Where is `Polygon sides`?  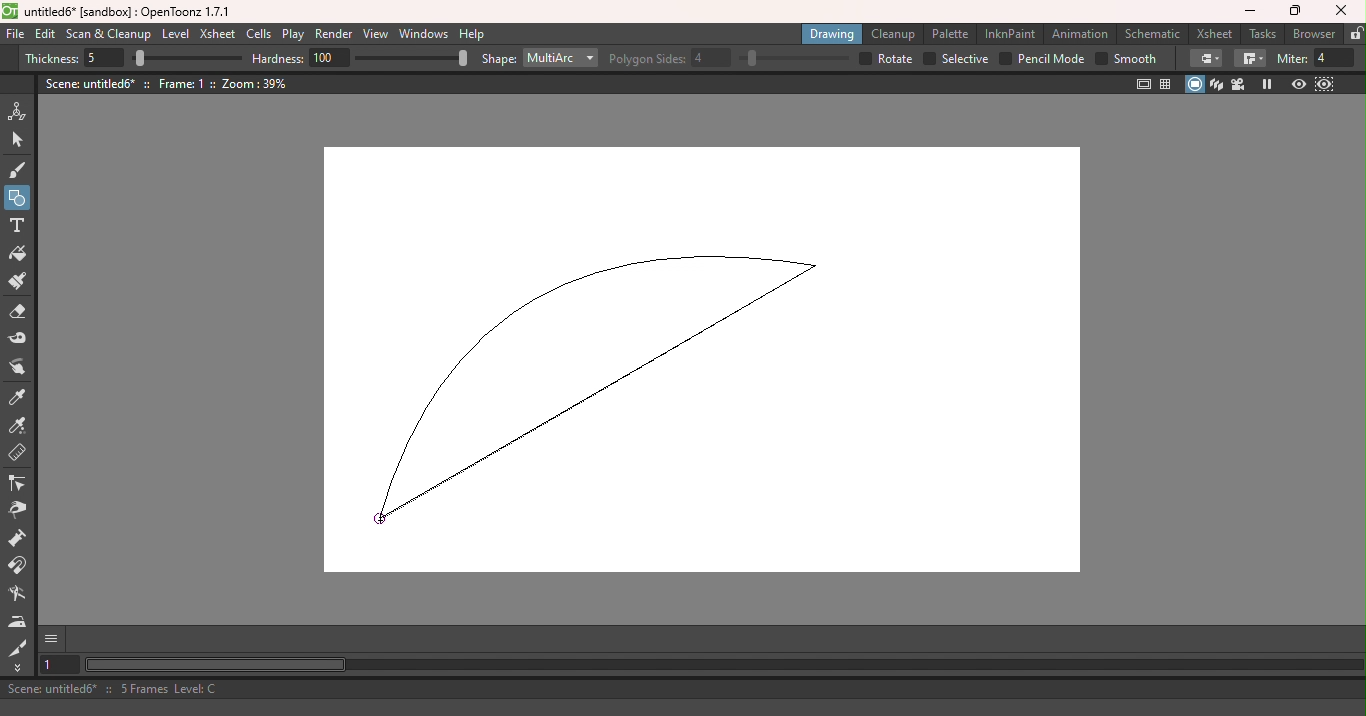
Polygon sides is located at coordinates (671, 56).